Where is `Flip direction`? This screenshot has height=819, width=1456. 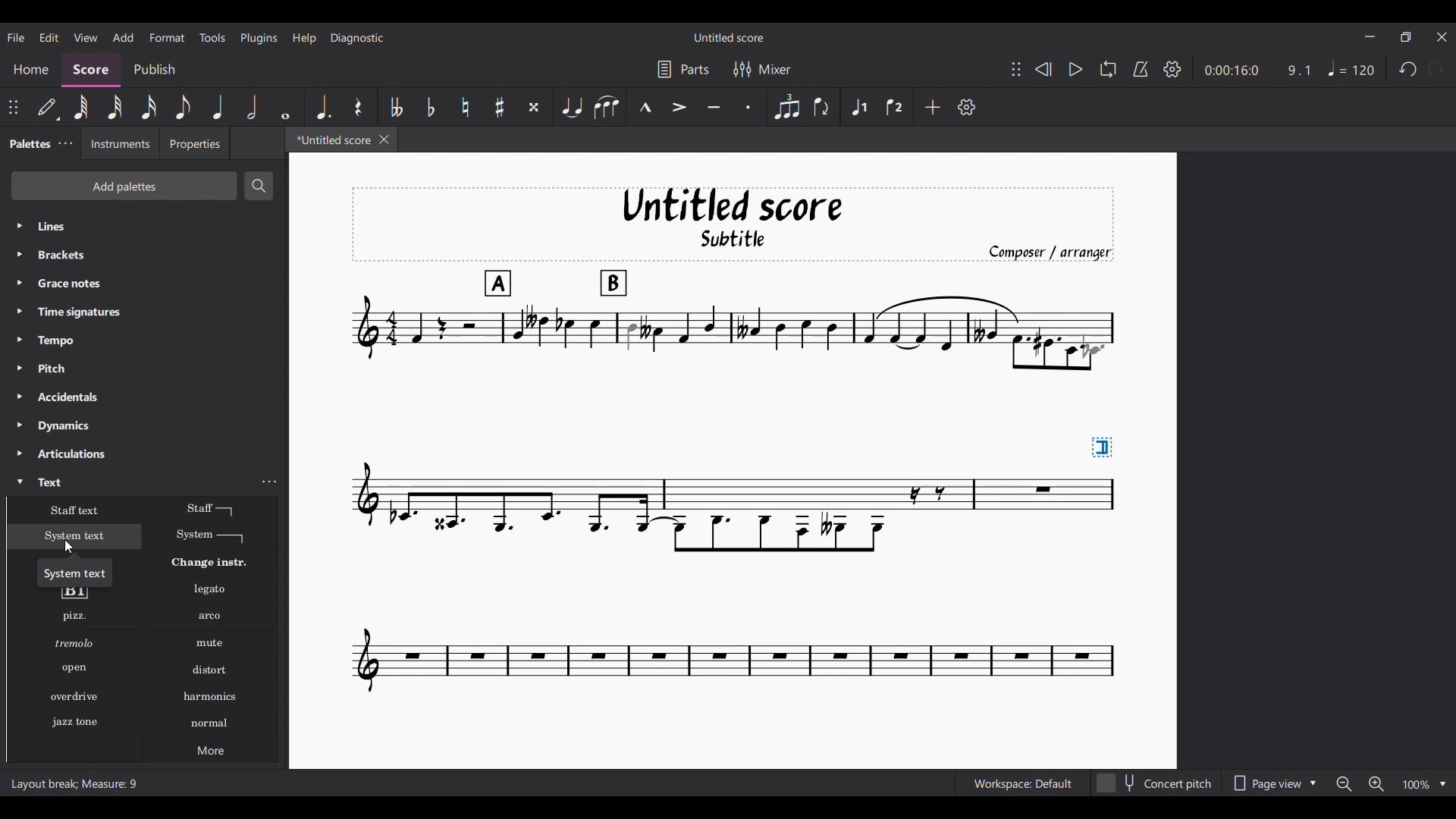
Flip direction is located at coordinates (822, 106).